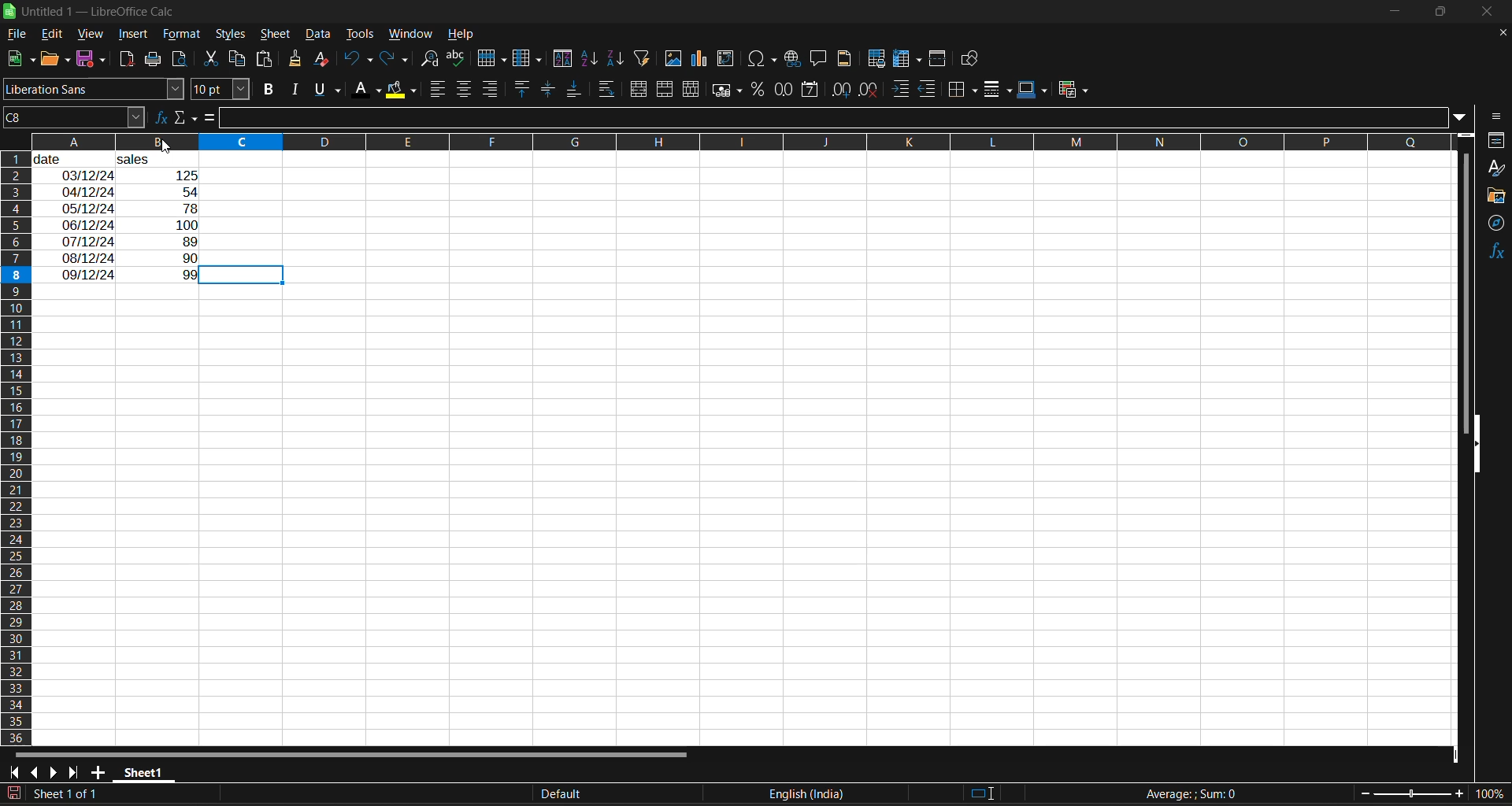 The height and width of the screenshot is (806, 1512). Describe the element at coordinates (213, 119) in the screenshot. I see `formula` at that location.